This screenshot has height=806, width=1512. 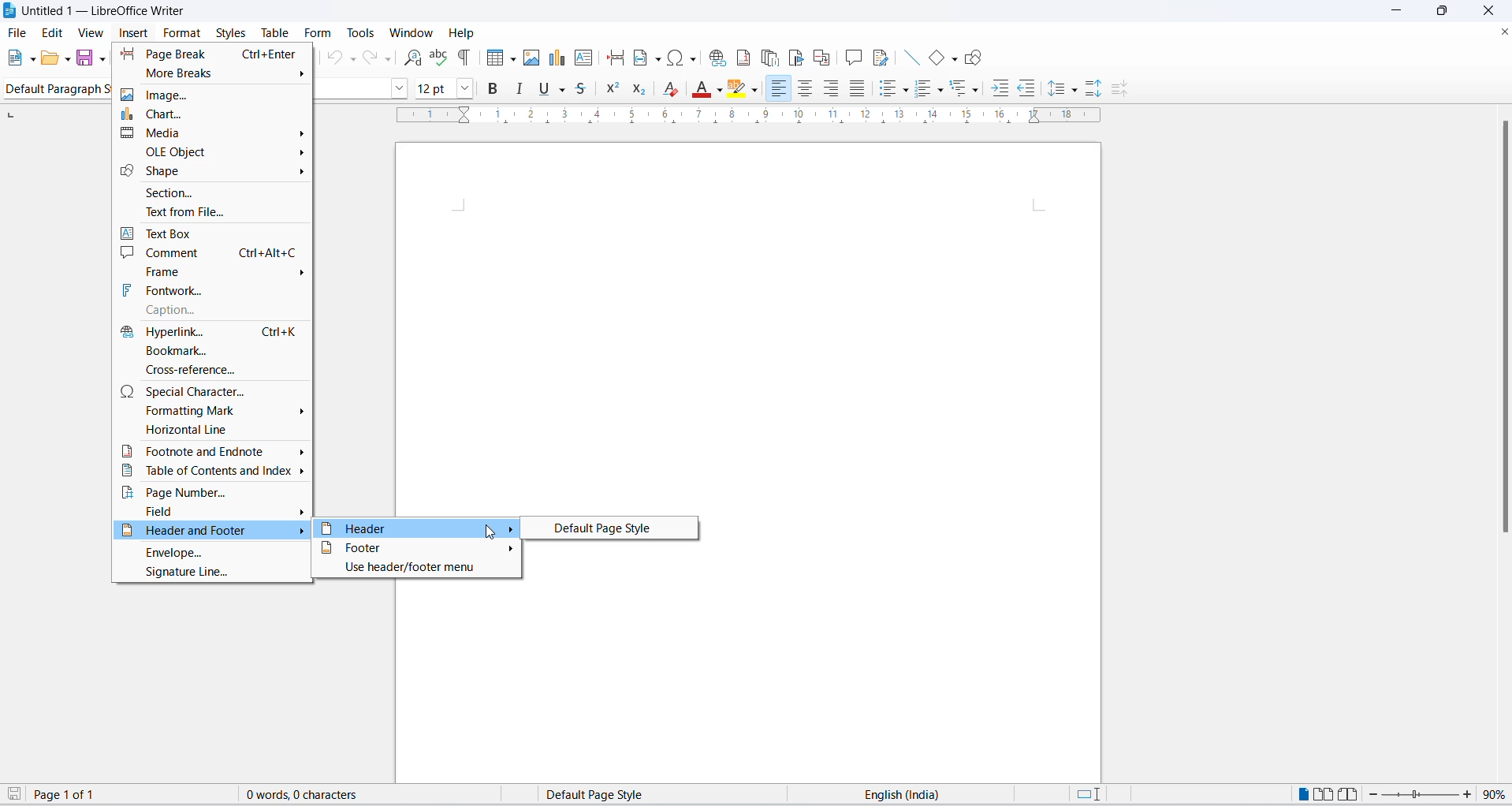 I want to click on basic shapes options, so click(x=953, y=60).